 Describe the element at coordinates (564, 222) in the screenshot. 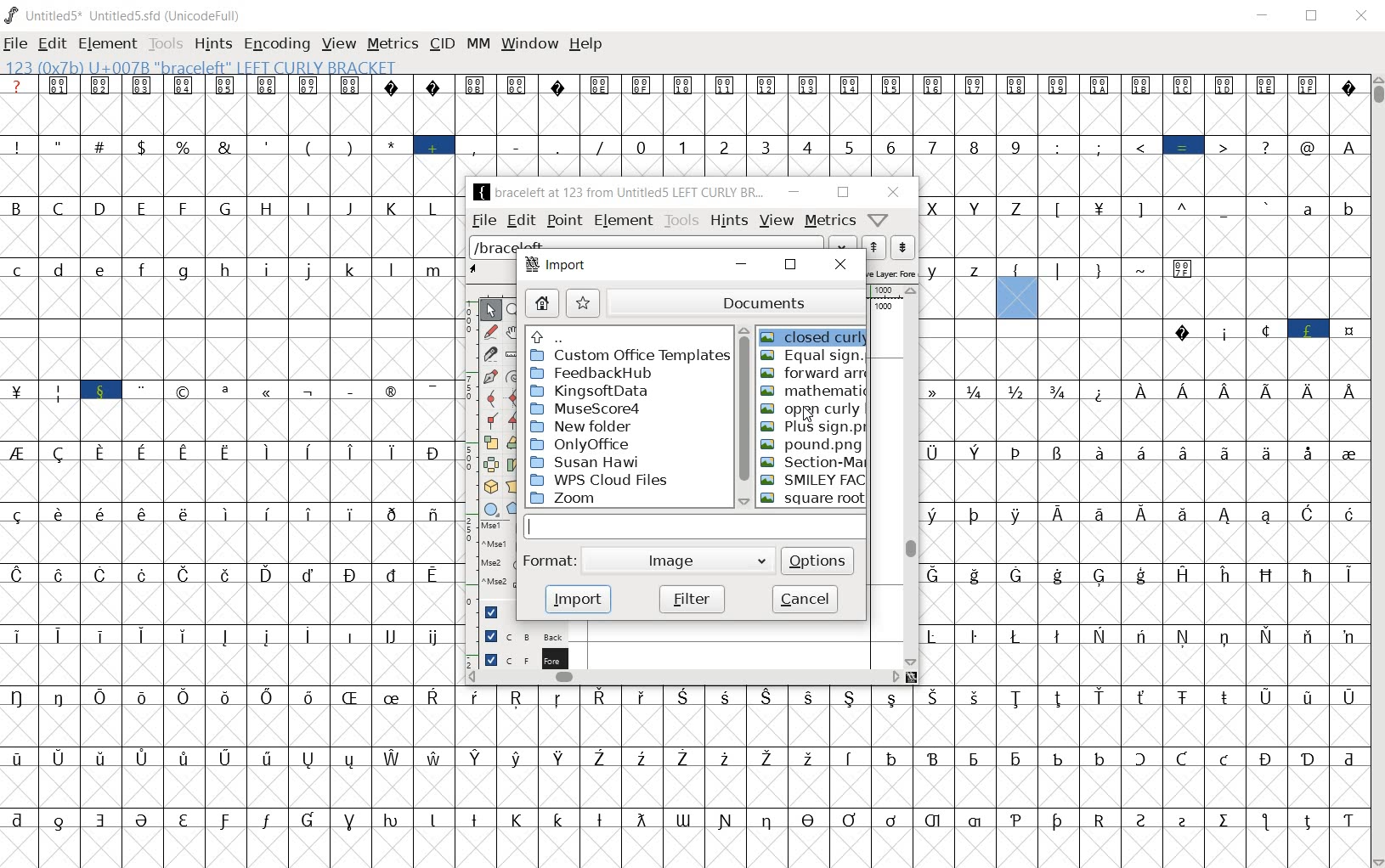

I see `point` at that location.